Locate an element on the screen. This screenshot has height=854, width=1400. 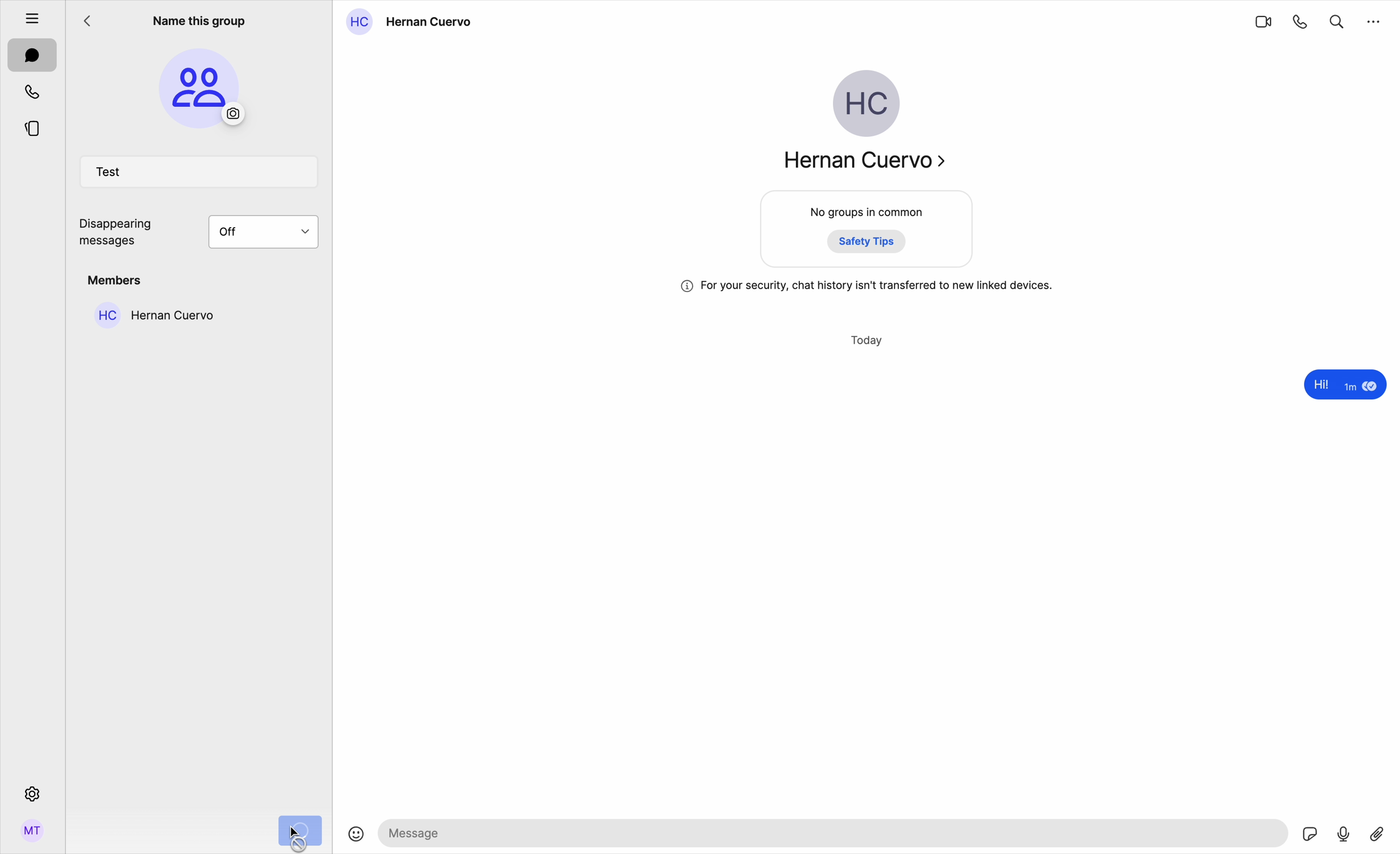
today is located at coordinates (868, 341).